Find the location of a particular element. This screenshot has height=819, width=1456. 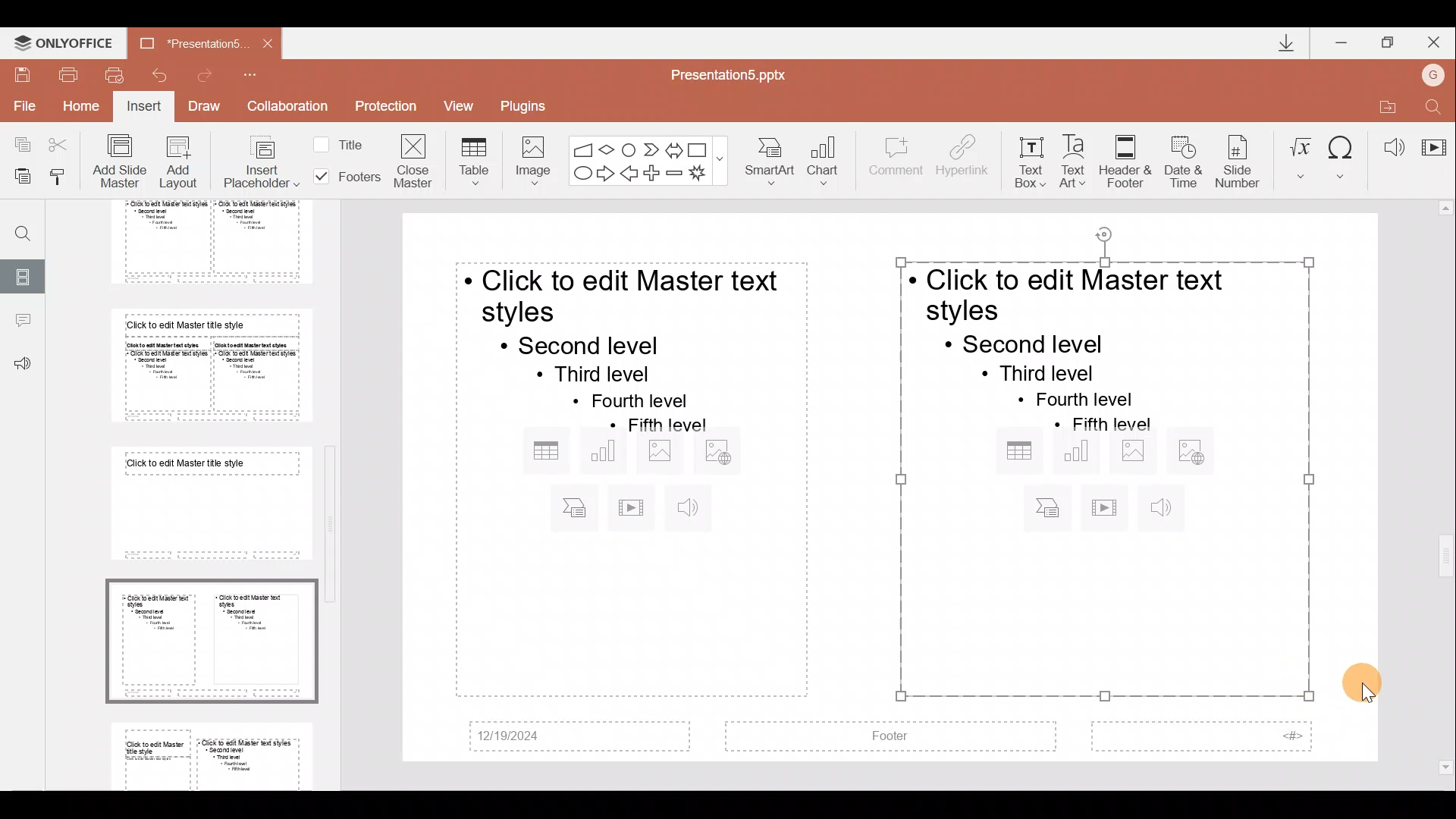

Chart is located at coordinates (833, 162).